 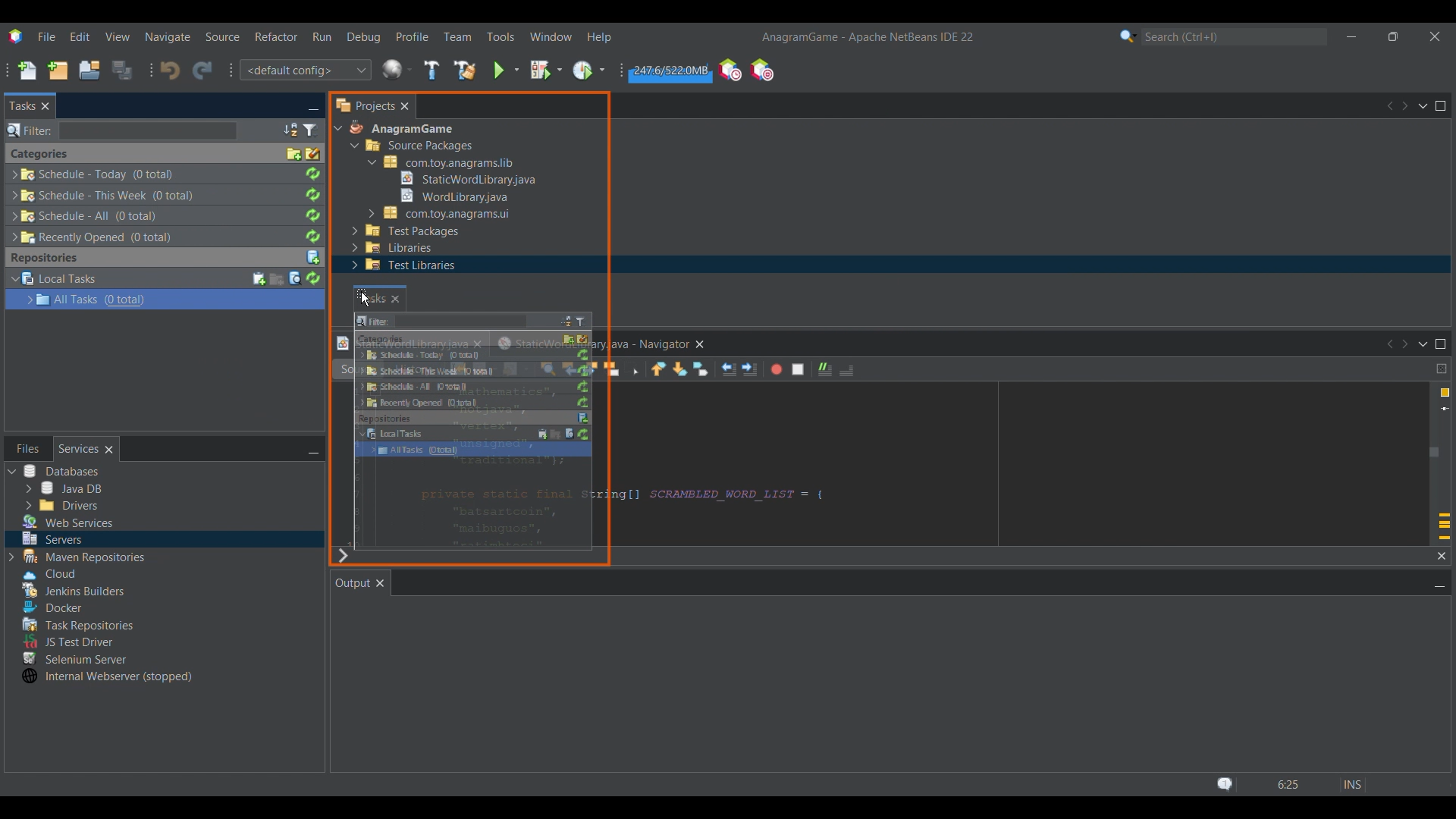 What do you see at coordinates (599, 37) in the screenshot?
I see `Help menu` at bounding box center [599, 37].